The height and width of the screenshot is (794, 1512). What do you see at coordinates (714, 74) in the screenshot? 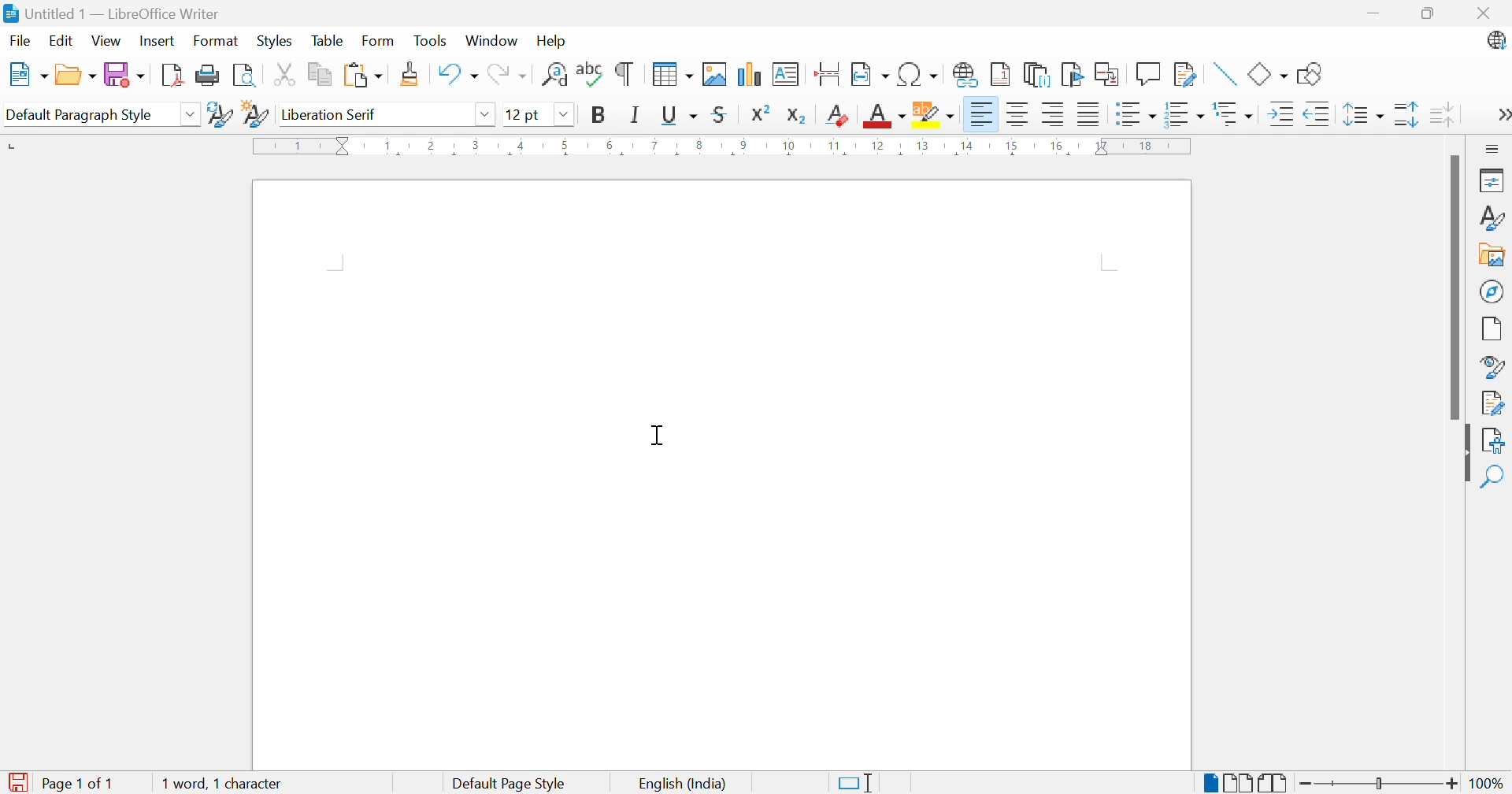
I see `Insert image` at bounding box center [714, 74].